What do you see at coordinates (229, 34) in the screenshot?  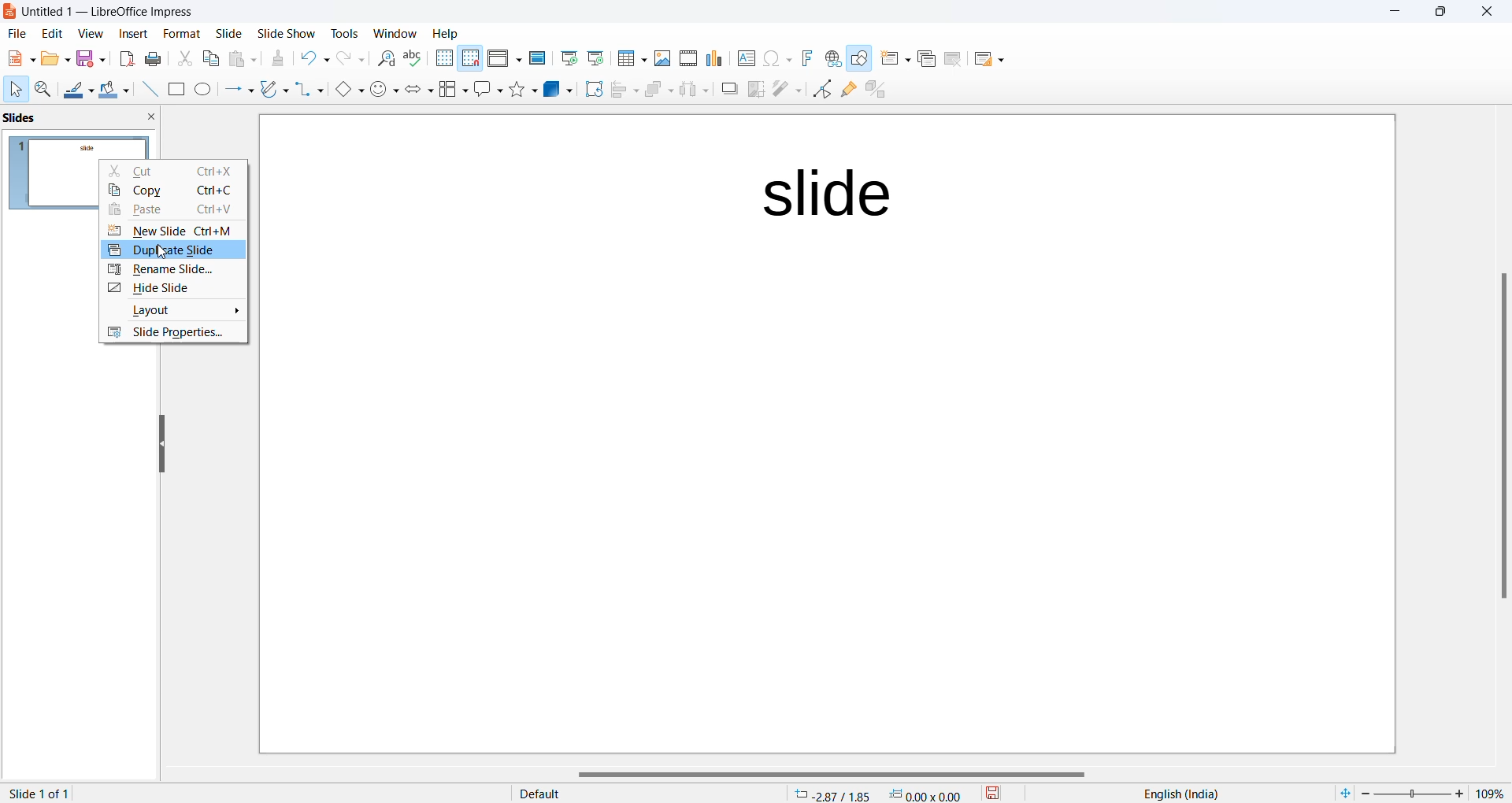 I see `Slide` at bounding box center [229, 34].